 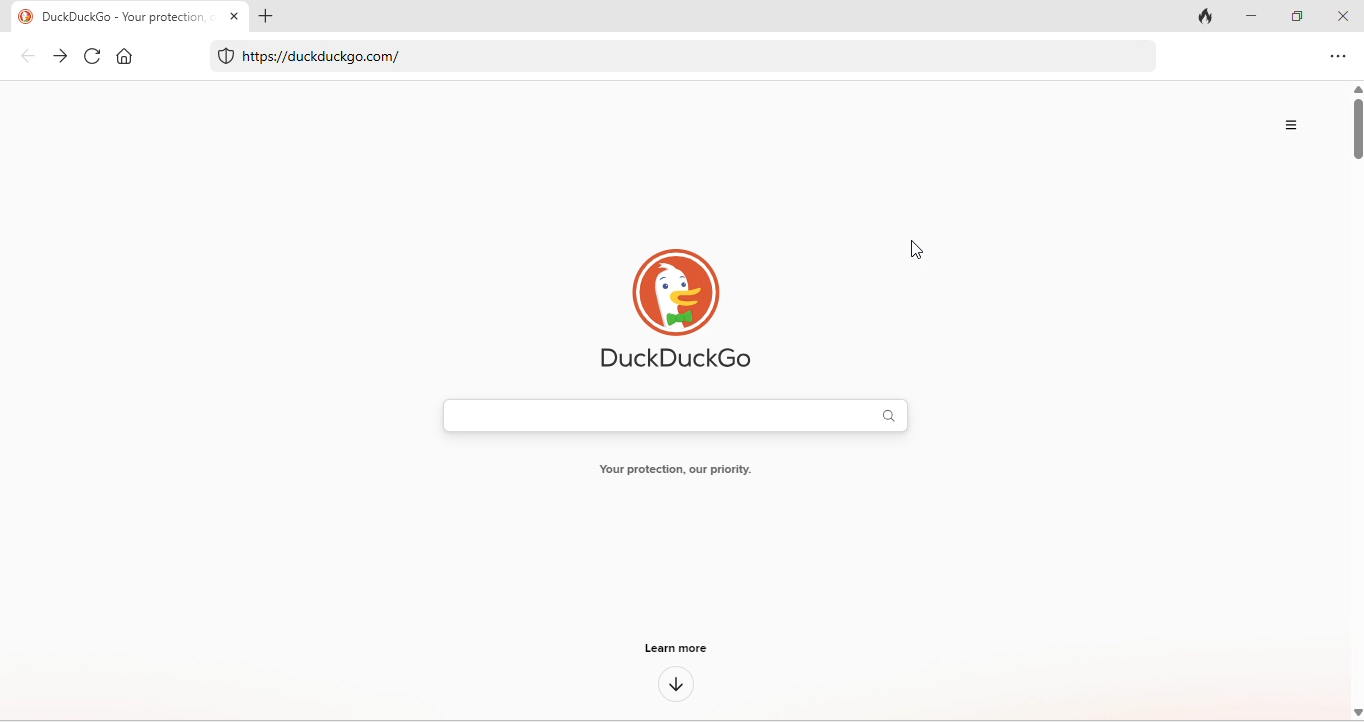 What do you see at coordinates (59, 56) in the screenshot?
I see `forward` at bounding box center [59, 56].